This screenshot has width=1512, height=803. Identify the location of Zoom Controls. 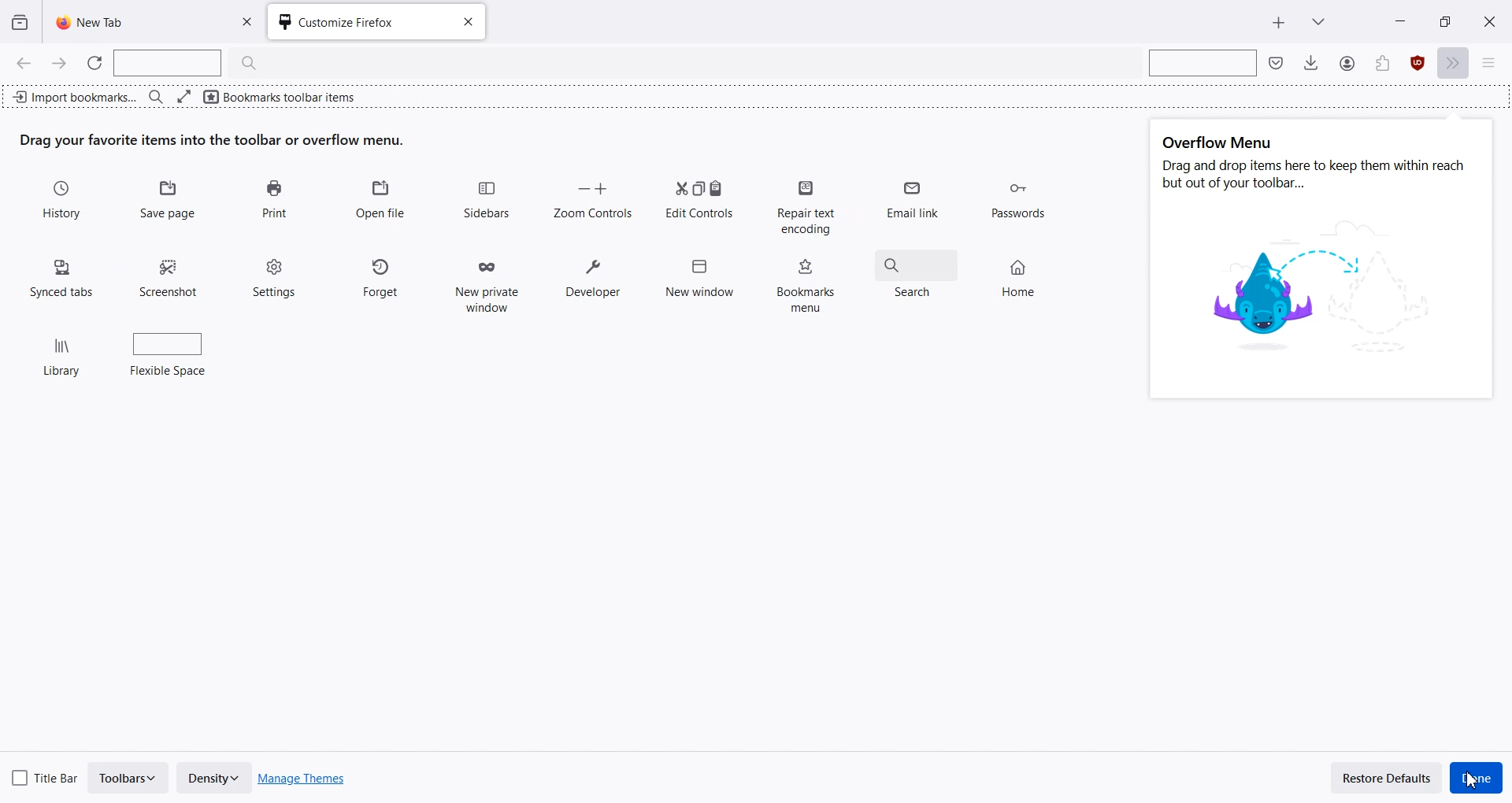
(592, 198).